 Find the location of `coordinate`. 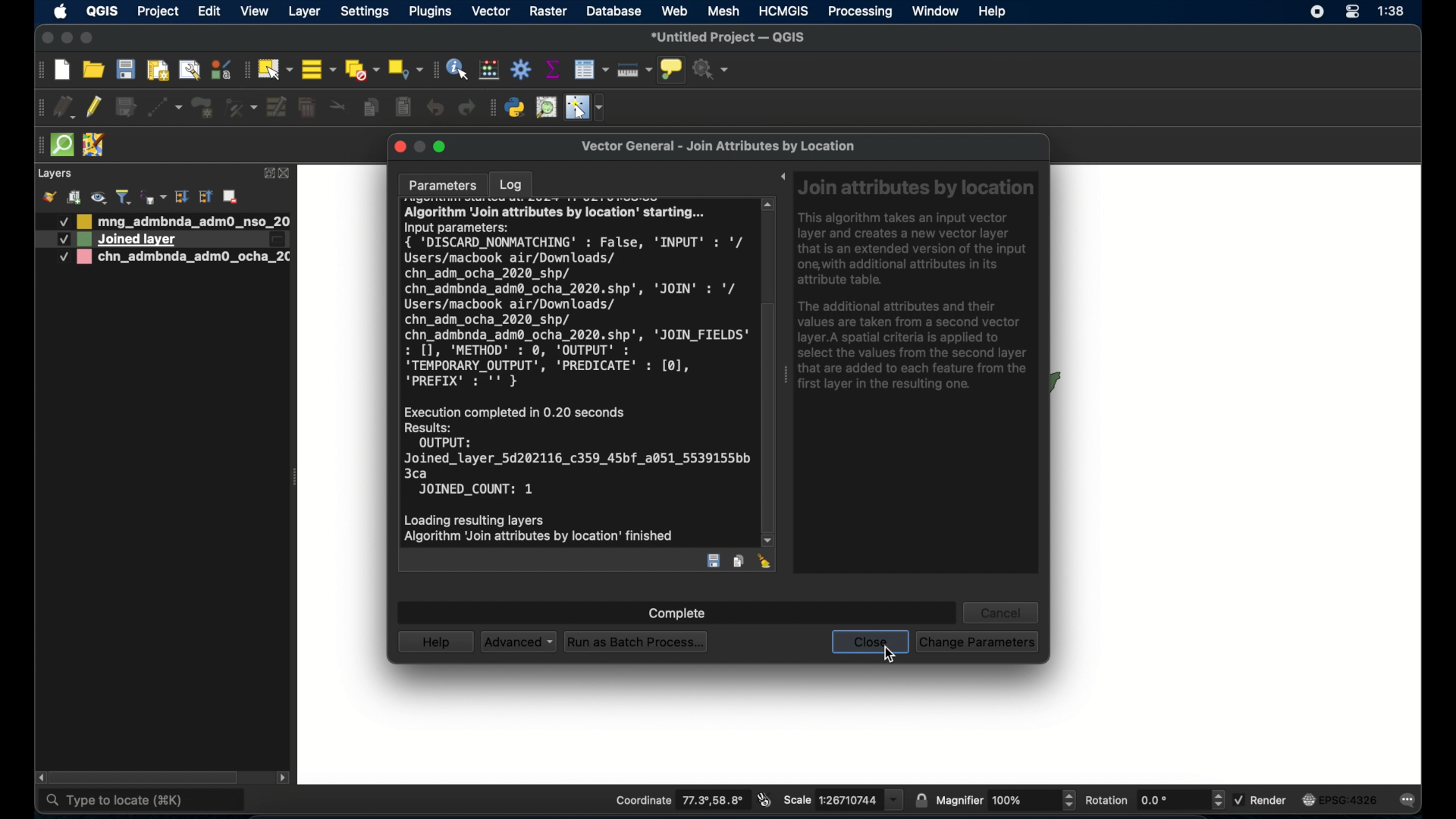

coordinate is located at coordinates (680, 801).